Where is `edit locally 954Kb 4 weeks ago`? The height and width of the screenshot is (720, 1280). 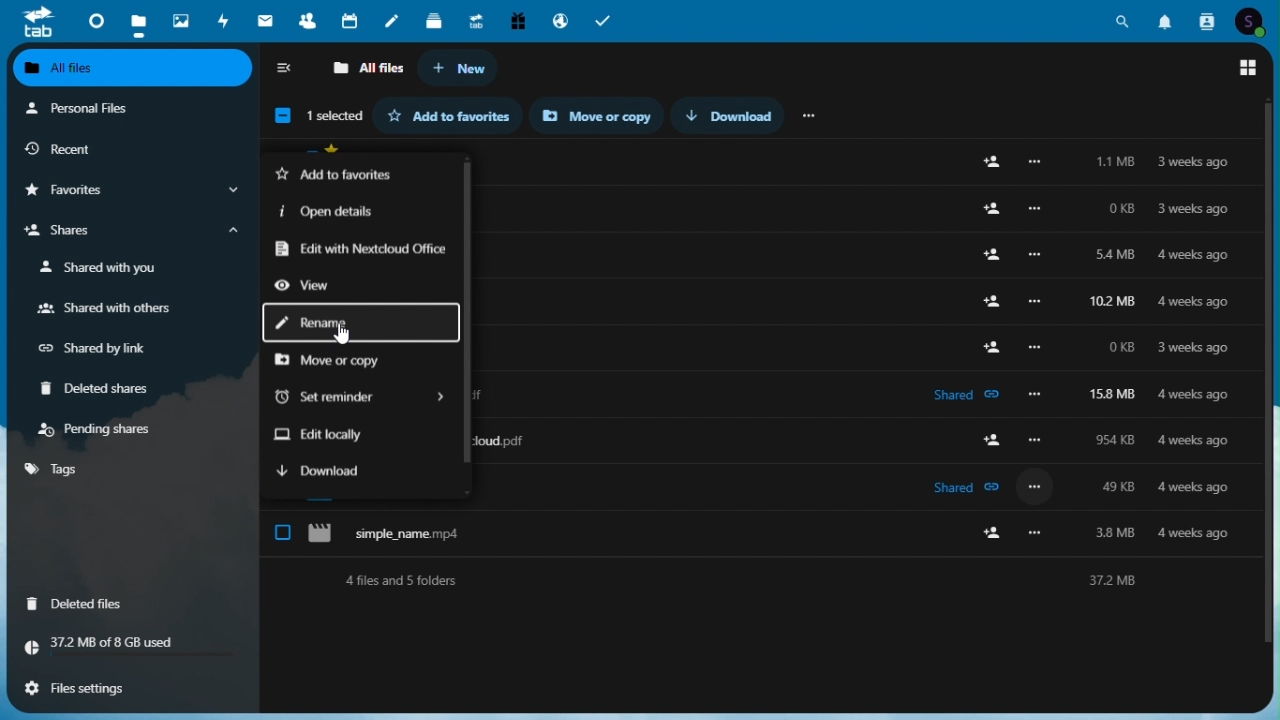 edit locally 954Kb 4 weeks ago is located at coordinates (752, 437).